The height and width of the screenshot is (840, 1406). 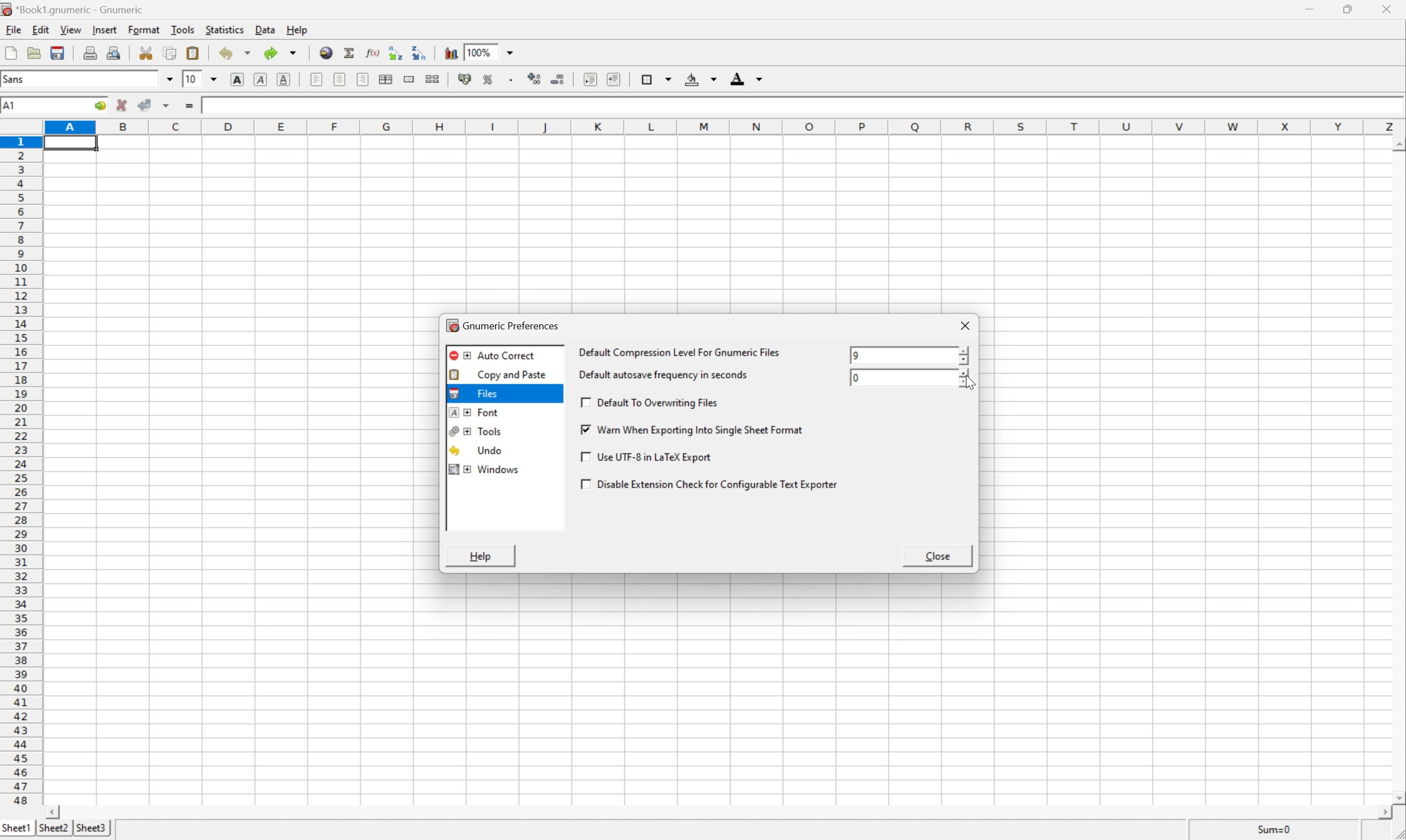 What do you see at coordinates (966, 377) in the screenshot?
I see `Cursor on slider` at bounding box center [966, 377].